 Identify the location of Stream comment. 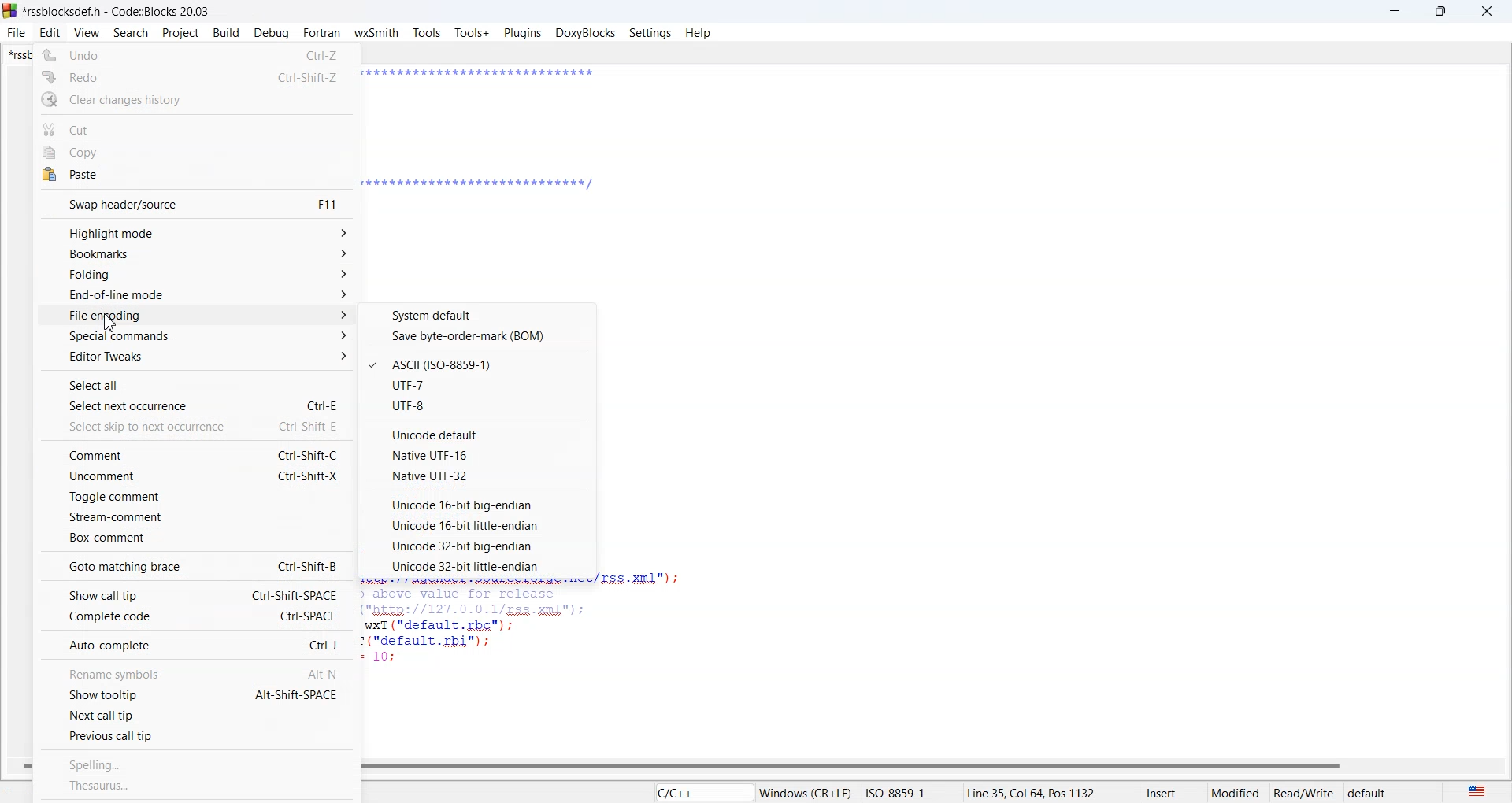
(195, 516).